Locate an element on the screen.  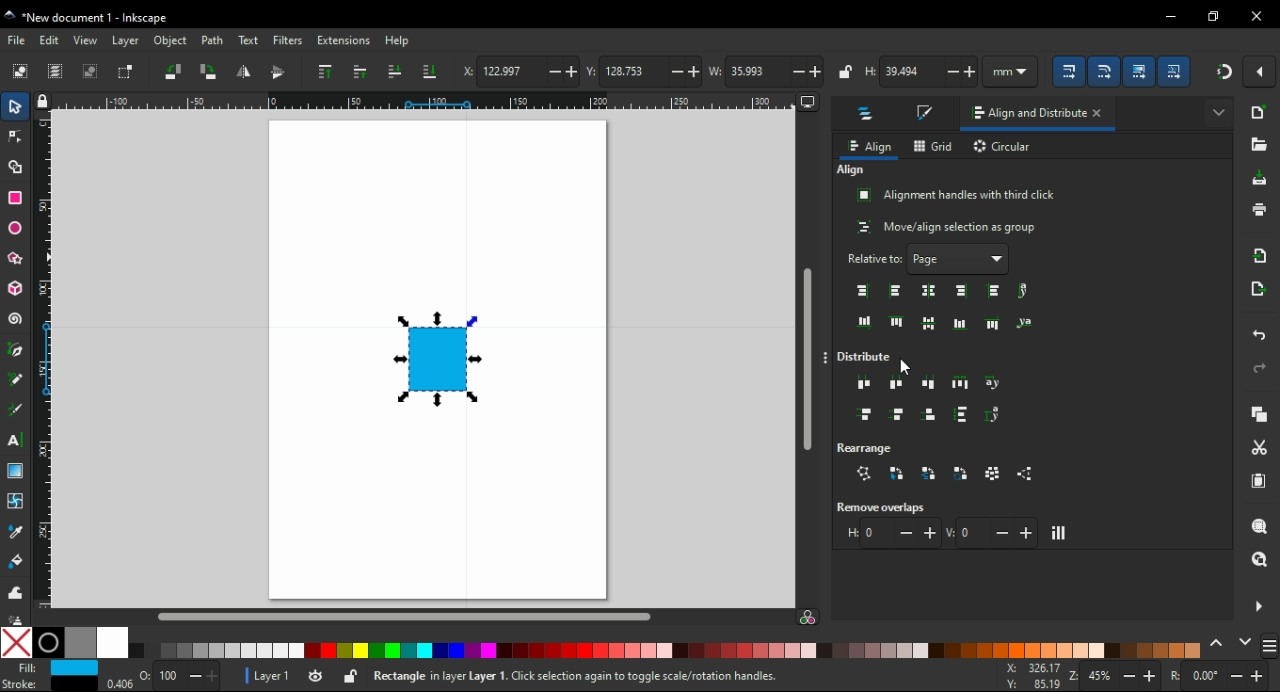
object flip vertical is located at coordinates (278, 73).